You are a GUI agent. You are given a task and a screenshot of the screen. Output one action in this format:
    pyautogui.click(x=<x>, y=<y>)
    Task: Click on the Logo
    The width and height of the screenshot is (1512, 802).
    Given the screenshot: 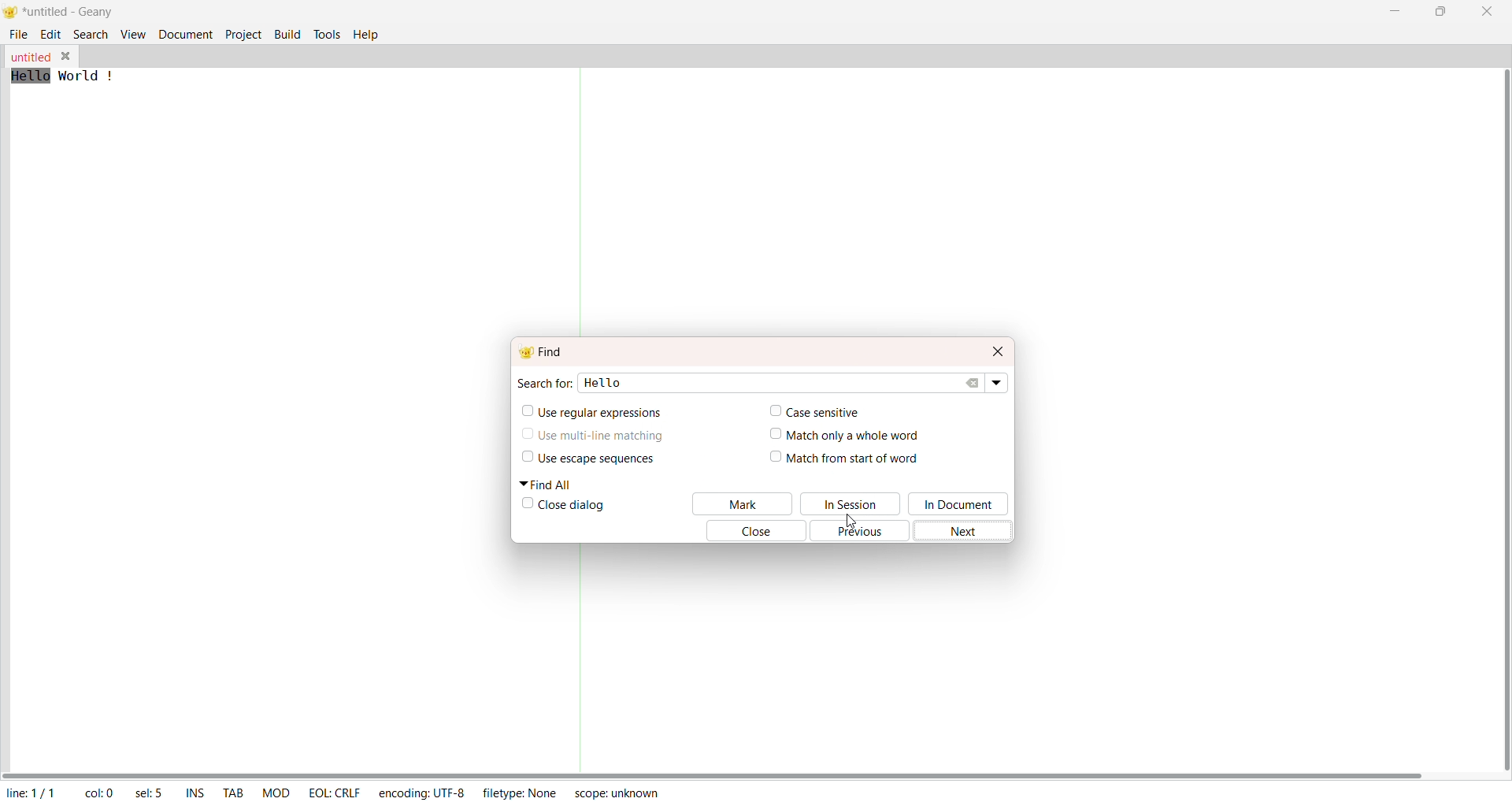 What is the action you would take?
    pyautogui.click(x=13, y=13)
    